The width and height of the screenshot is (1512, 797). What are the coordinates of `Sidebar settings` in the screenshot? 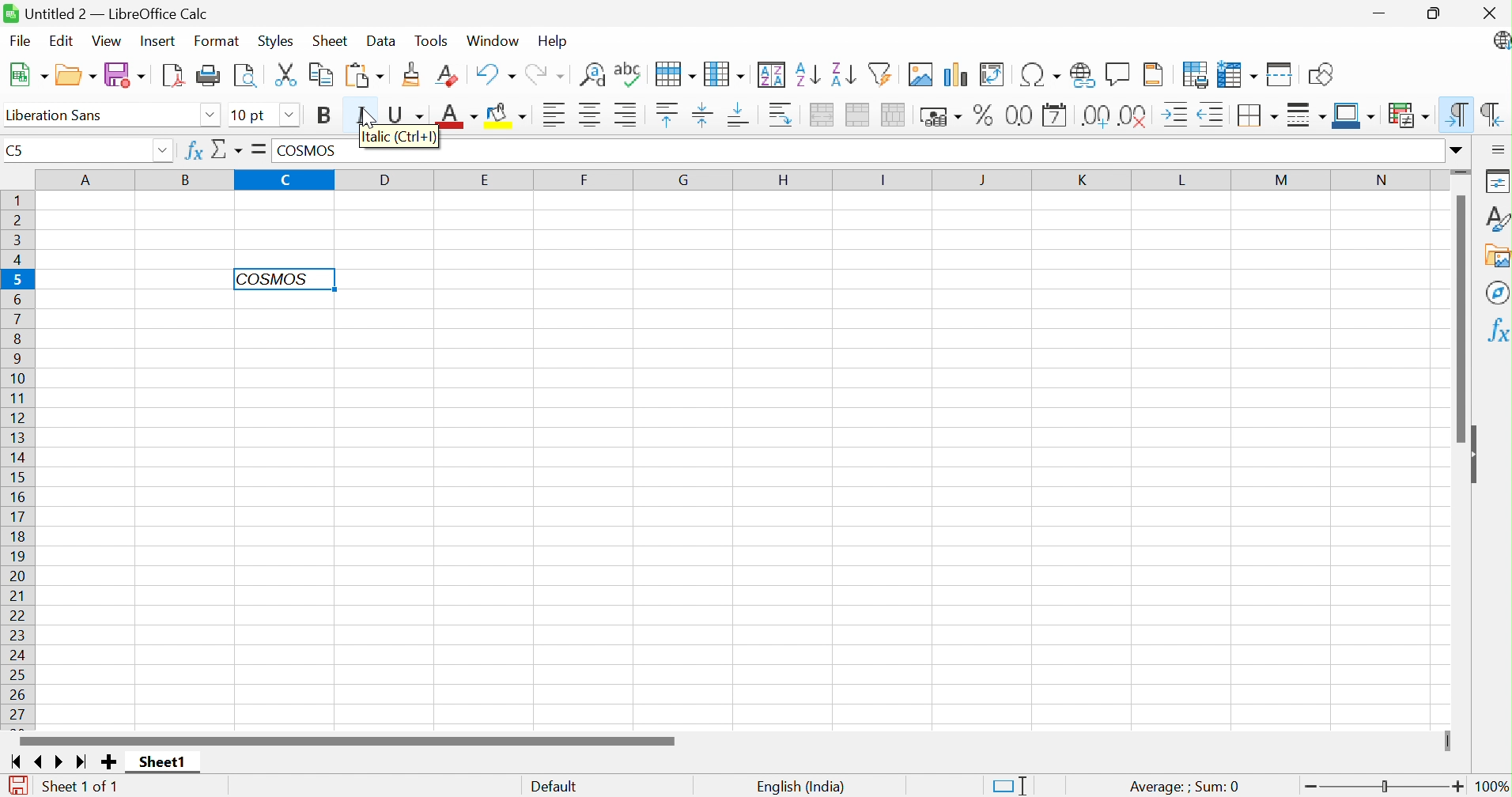 It's located at (1498, 149).